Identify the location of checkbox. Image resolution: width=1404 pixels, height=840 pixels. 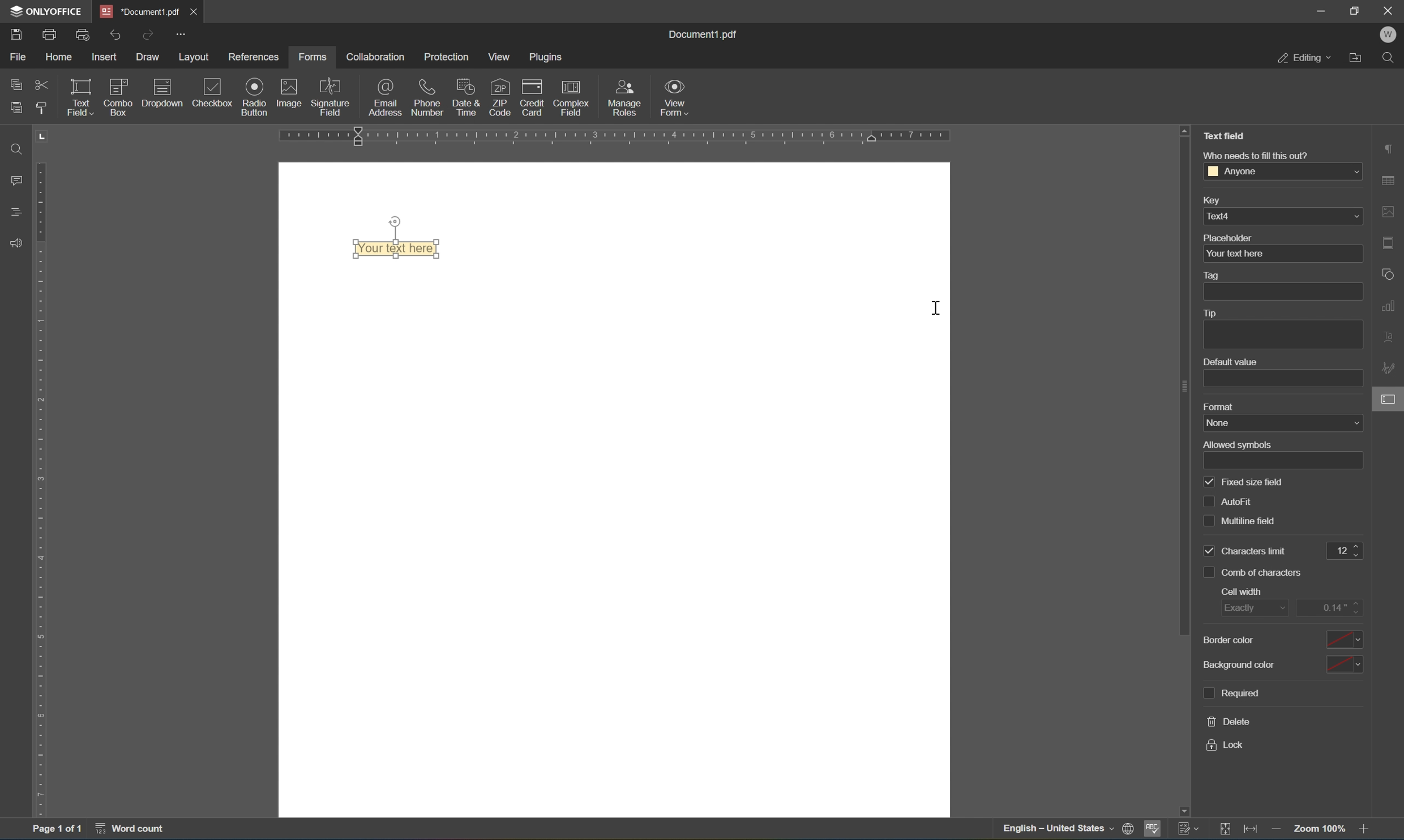
(1209, 551).